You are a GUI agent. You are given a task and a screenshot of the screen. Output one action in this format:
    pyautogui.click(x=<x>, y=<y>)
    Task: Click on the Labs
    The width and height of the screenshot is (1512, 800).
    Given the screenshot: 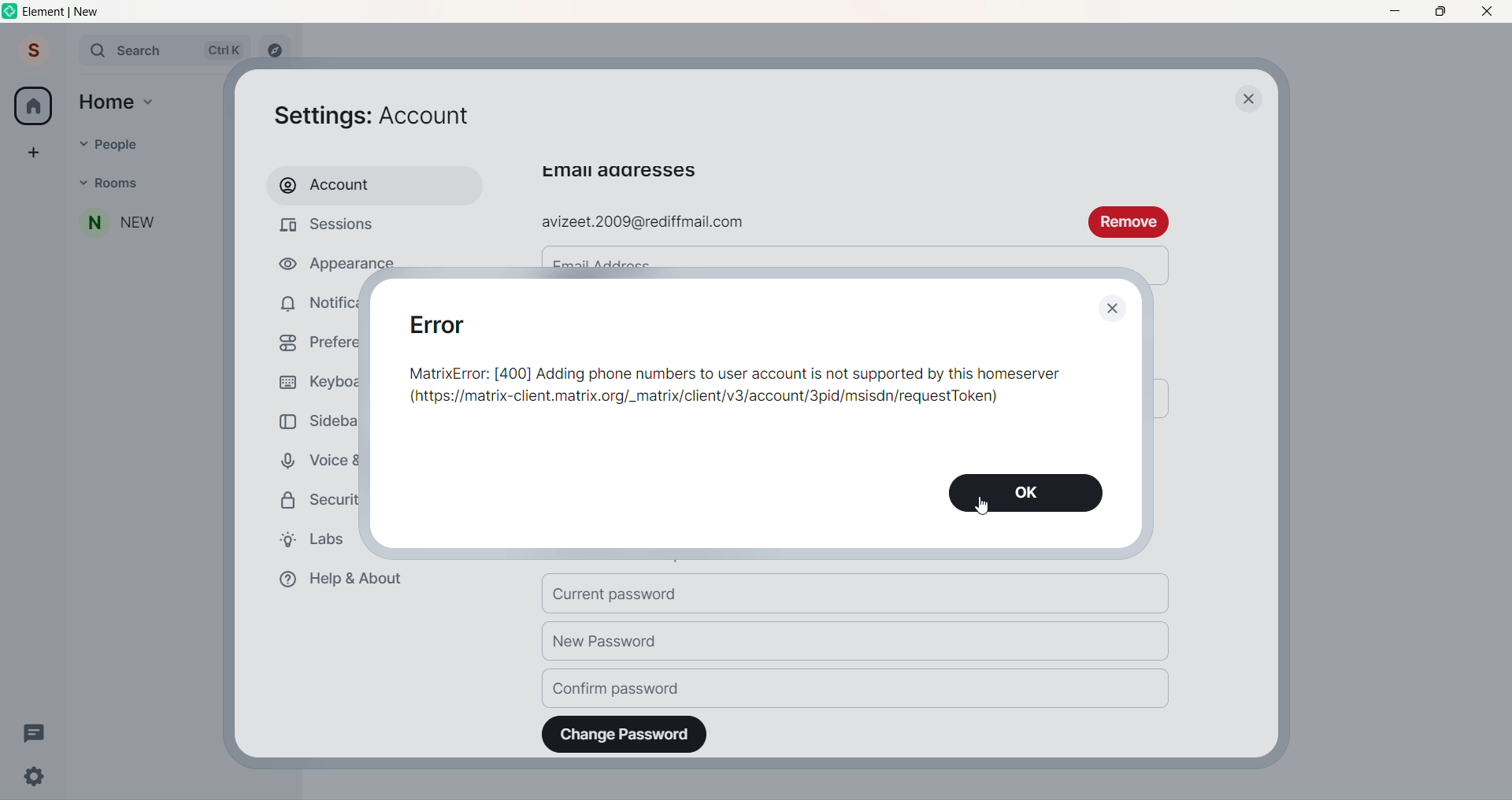 What is the action you would take?
    pyautogui.click(x=307, y=539)
    